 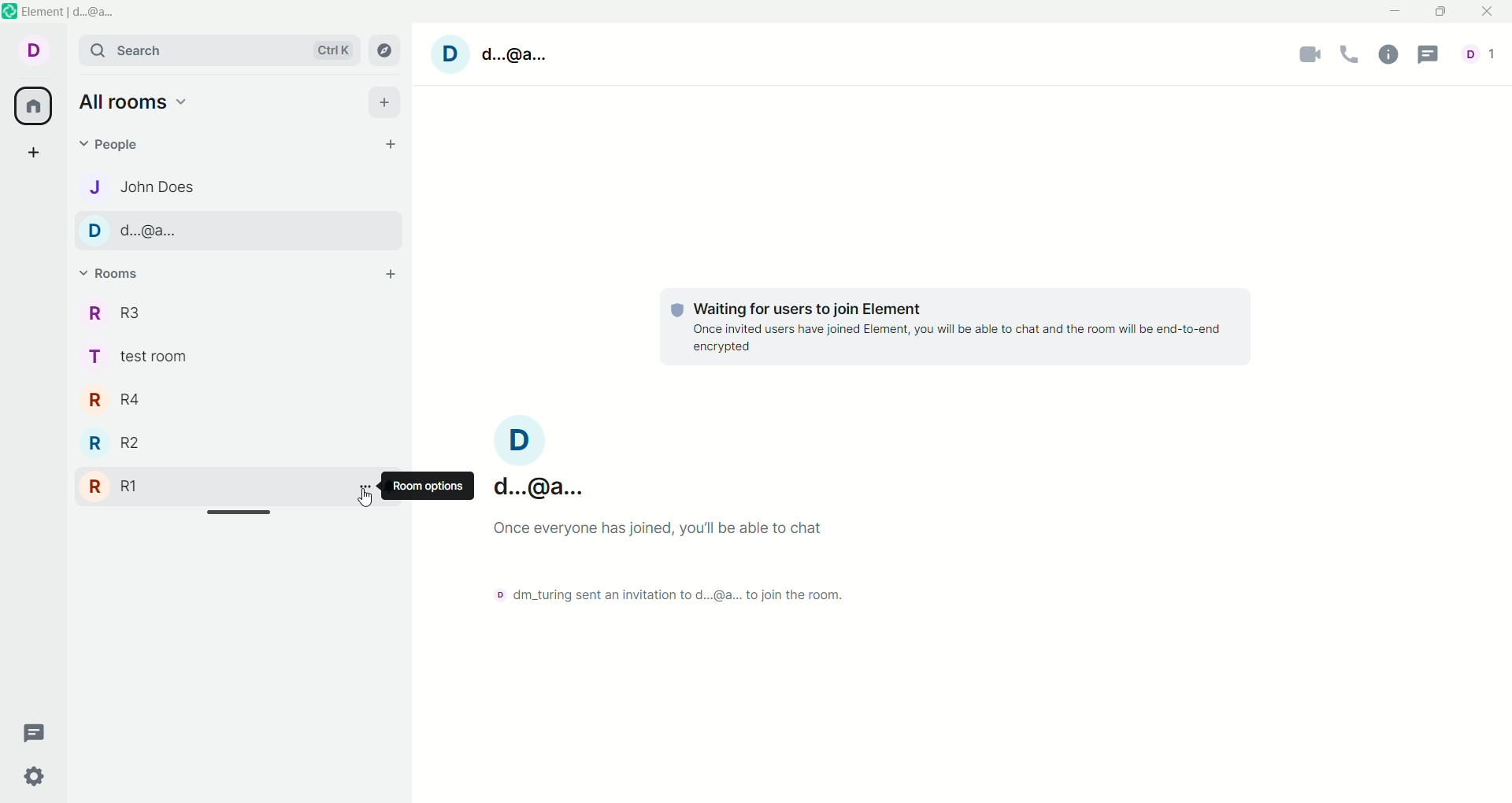 What do you see at coordinates (31, 733) in the screenshot?
I see `threads` at bounding box center [31, 733].